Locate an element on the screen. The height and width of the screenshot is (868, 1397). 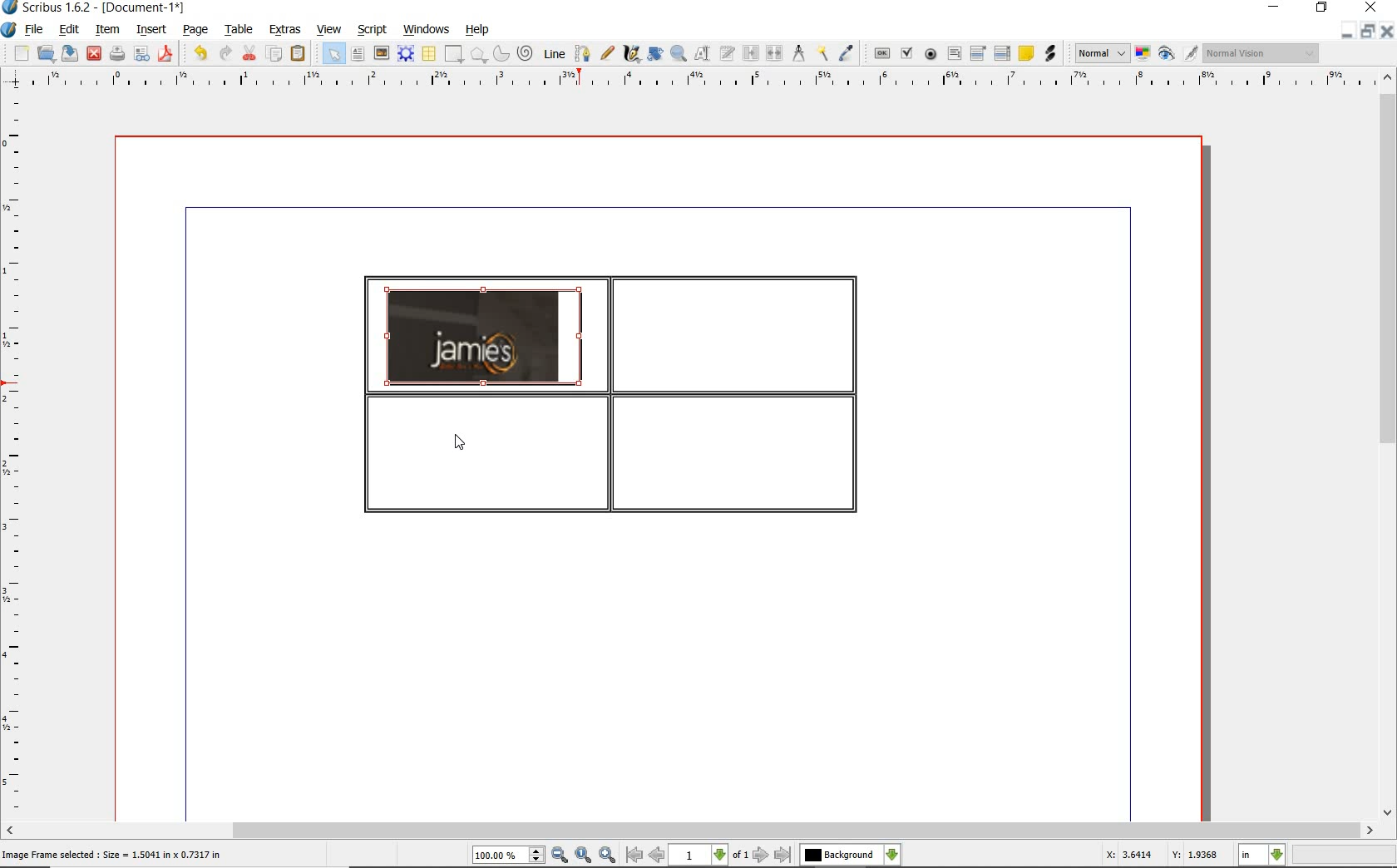
insert is located at coordinates (150, 31).